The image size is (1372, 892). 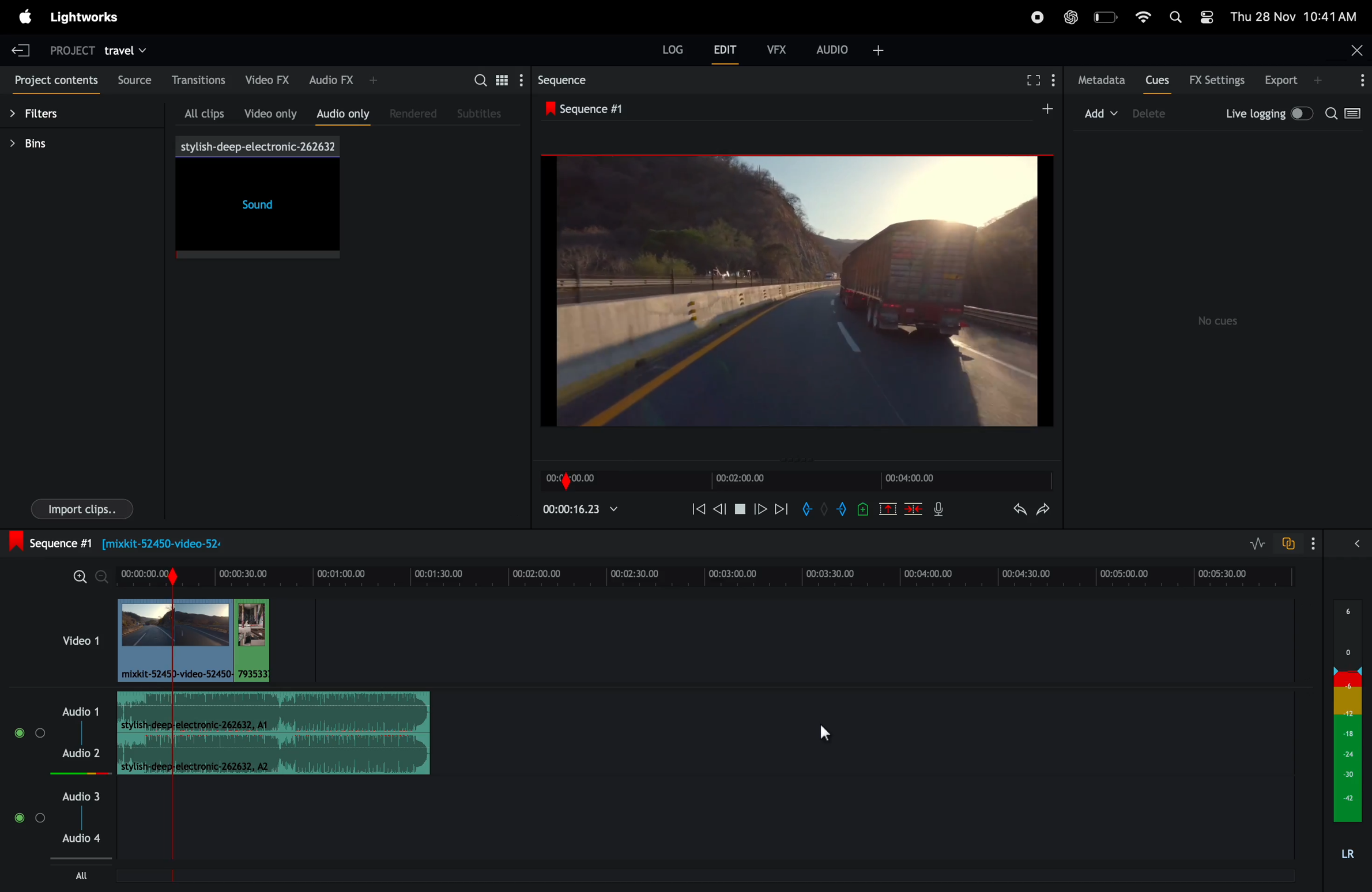 I want to click on edit, so click(x=728, y=49).